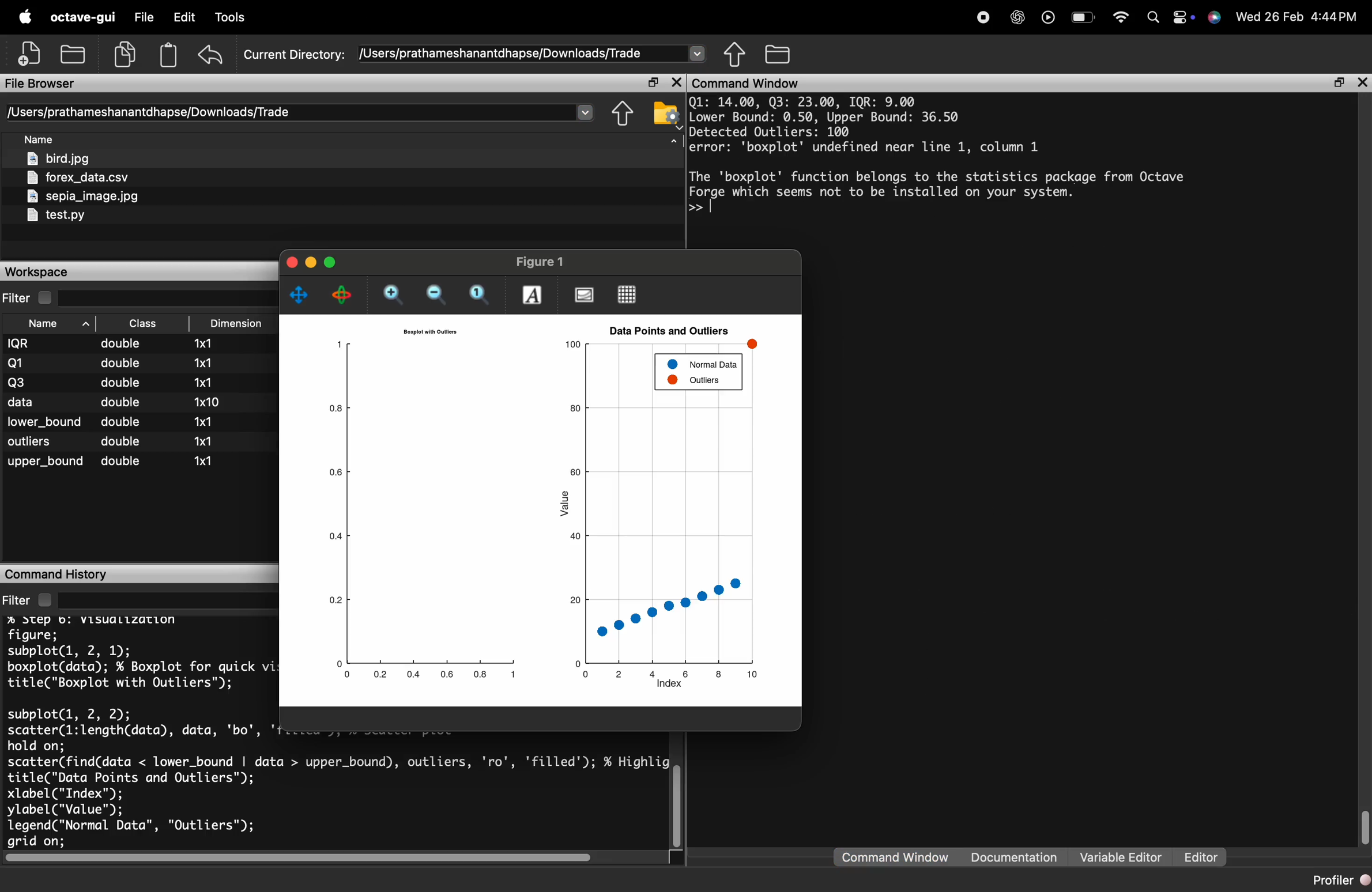  Describe the element at coordinates (1340, 880) in the screenshot. I see `Profiler` at that location.